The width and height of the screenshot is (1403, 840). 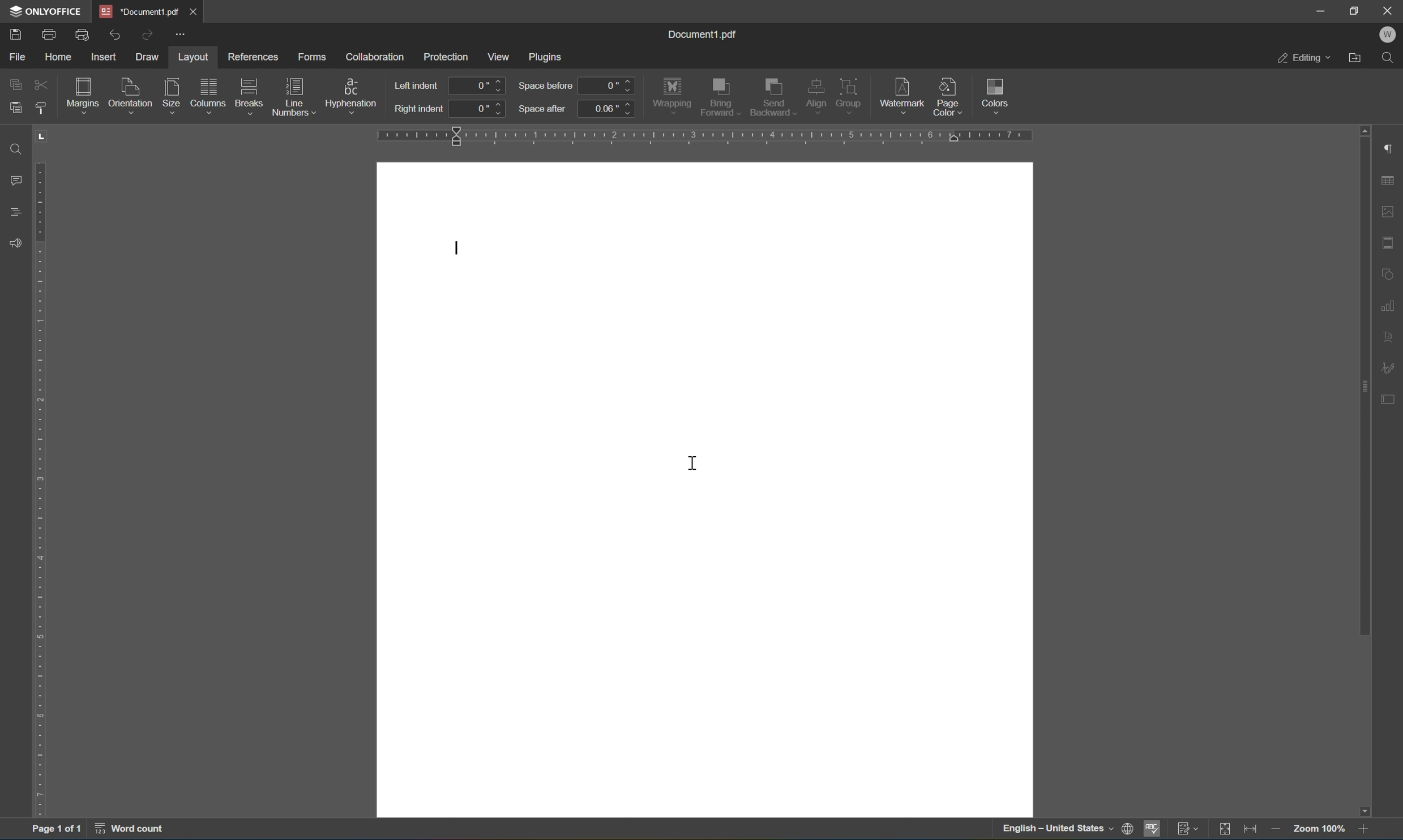 What do you see at coordinates (58, 831) in the screenshot?
I see `page 1 of 1` at bounding box center [58, 831].